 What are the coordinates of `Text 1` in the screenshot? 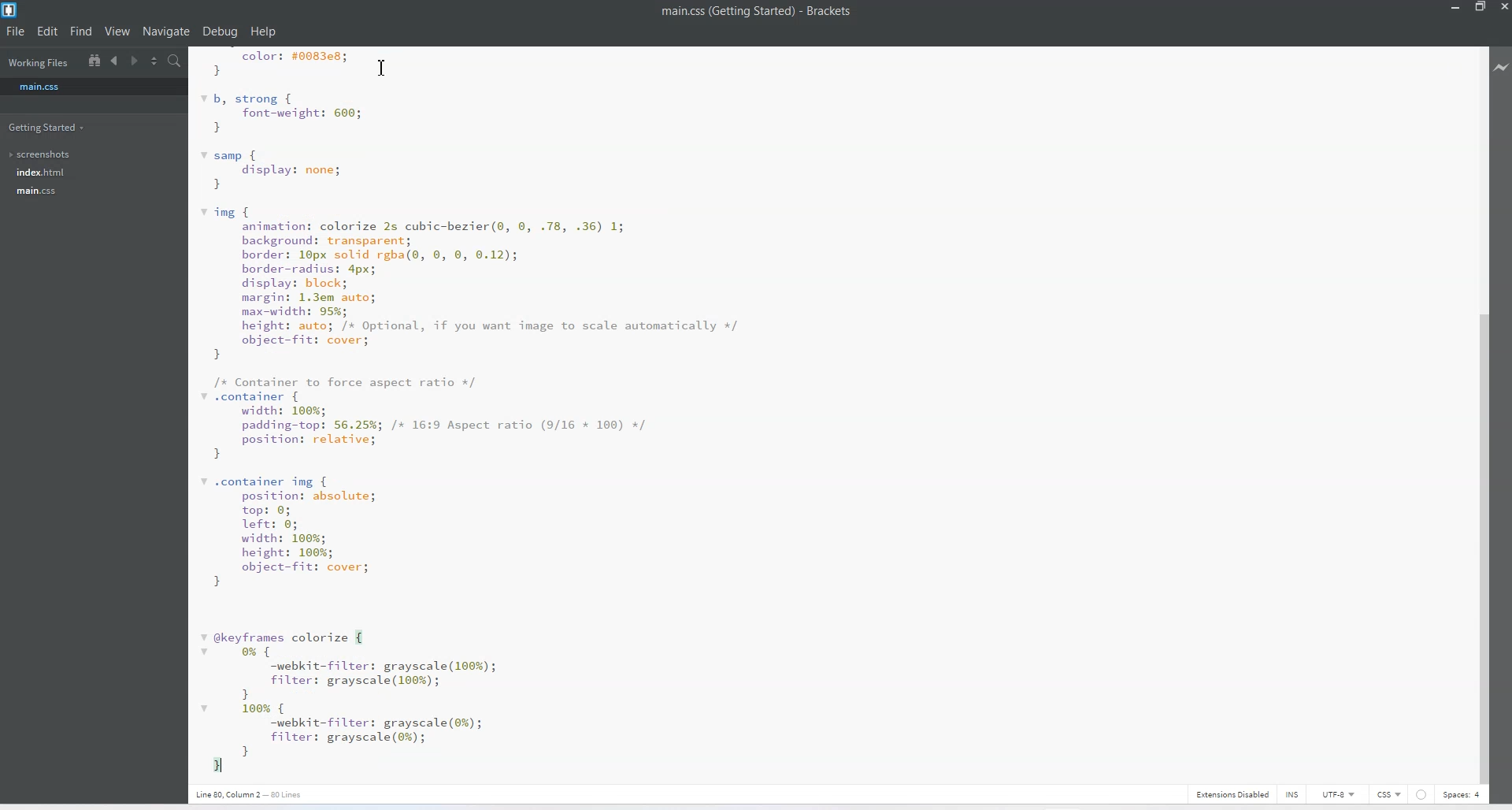 It's located at (757, 12).